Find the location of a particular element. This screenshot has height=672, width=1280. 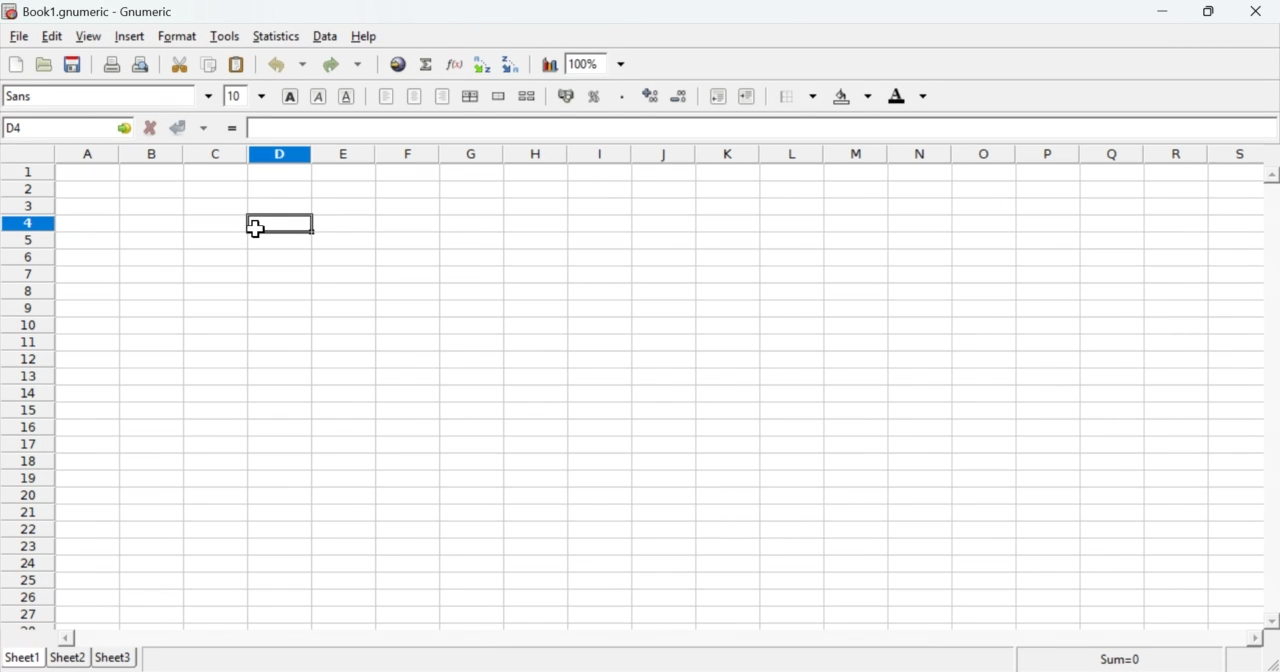

Merge cells is located at coordinates (498, 96).